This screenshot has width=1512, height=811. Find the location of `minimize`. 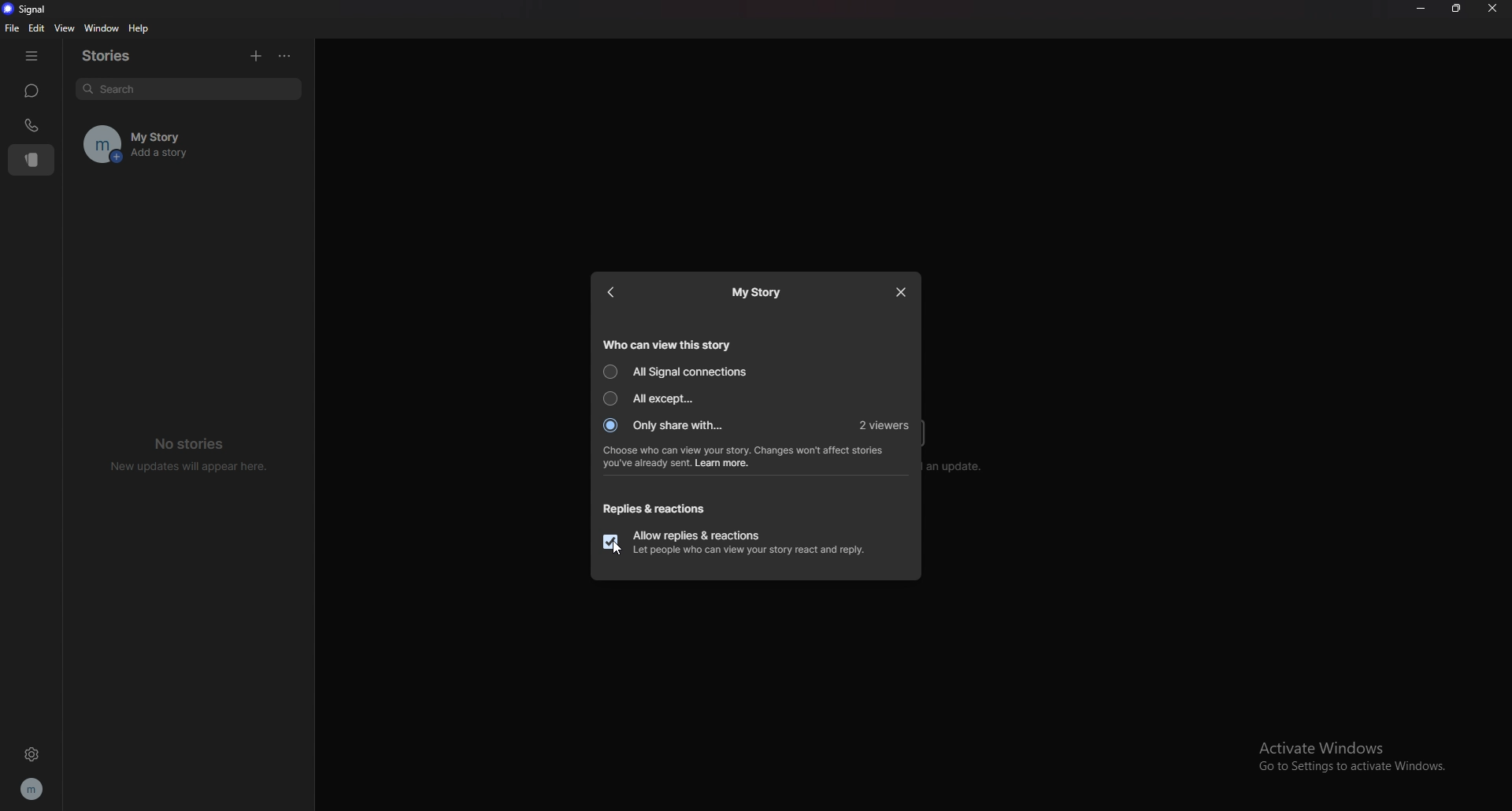

minimize is located at coordinates (1421, 9).